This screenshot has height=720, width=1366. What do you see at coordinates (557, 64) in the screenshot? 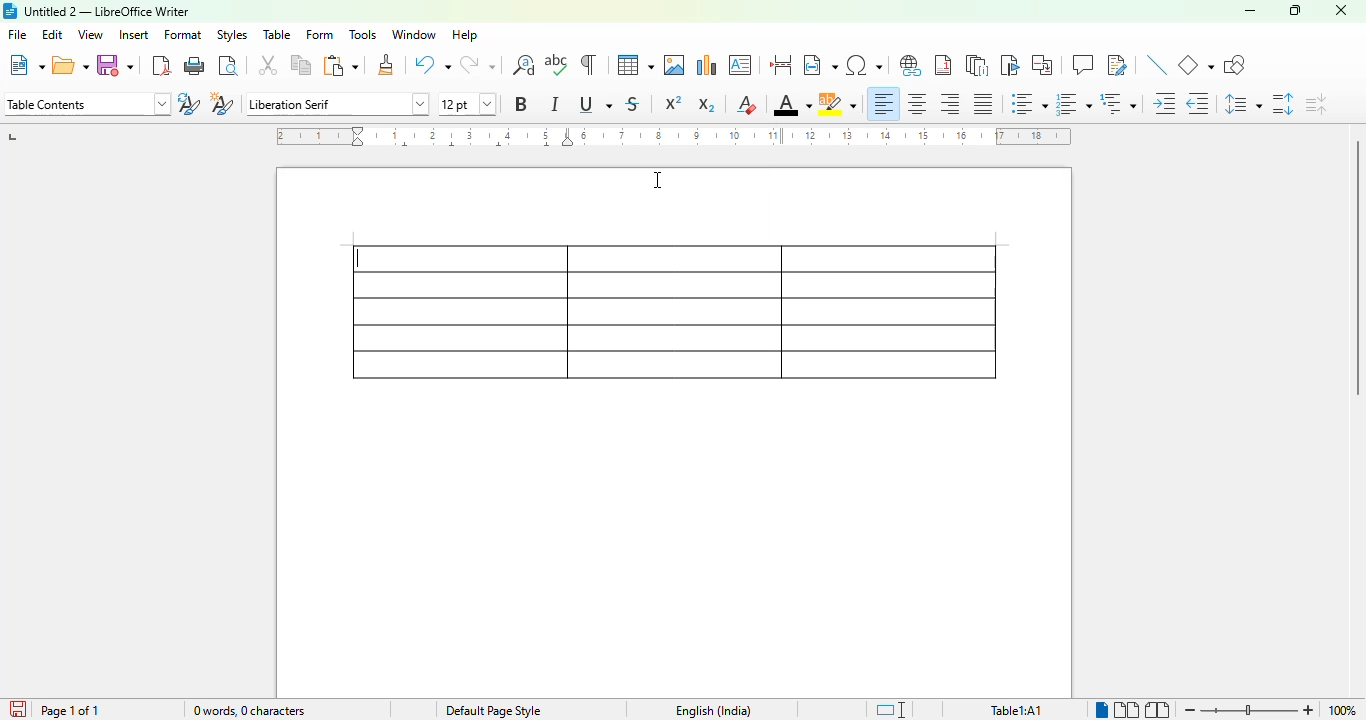
I see `spelling` at bounding box center [557, 64].